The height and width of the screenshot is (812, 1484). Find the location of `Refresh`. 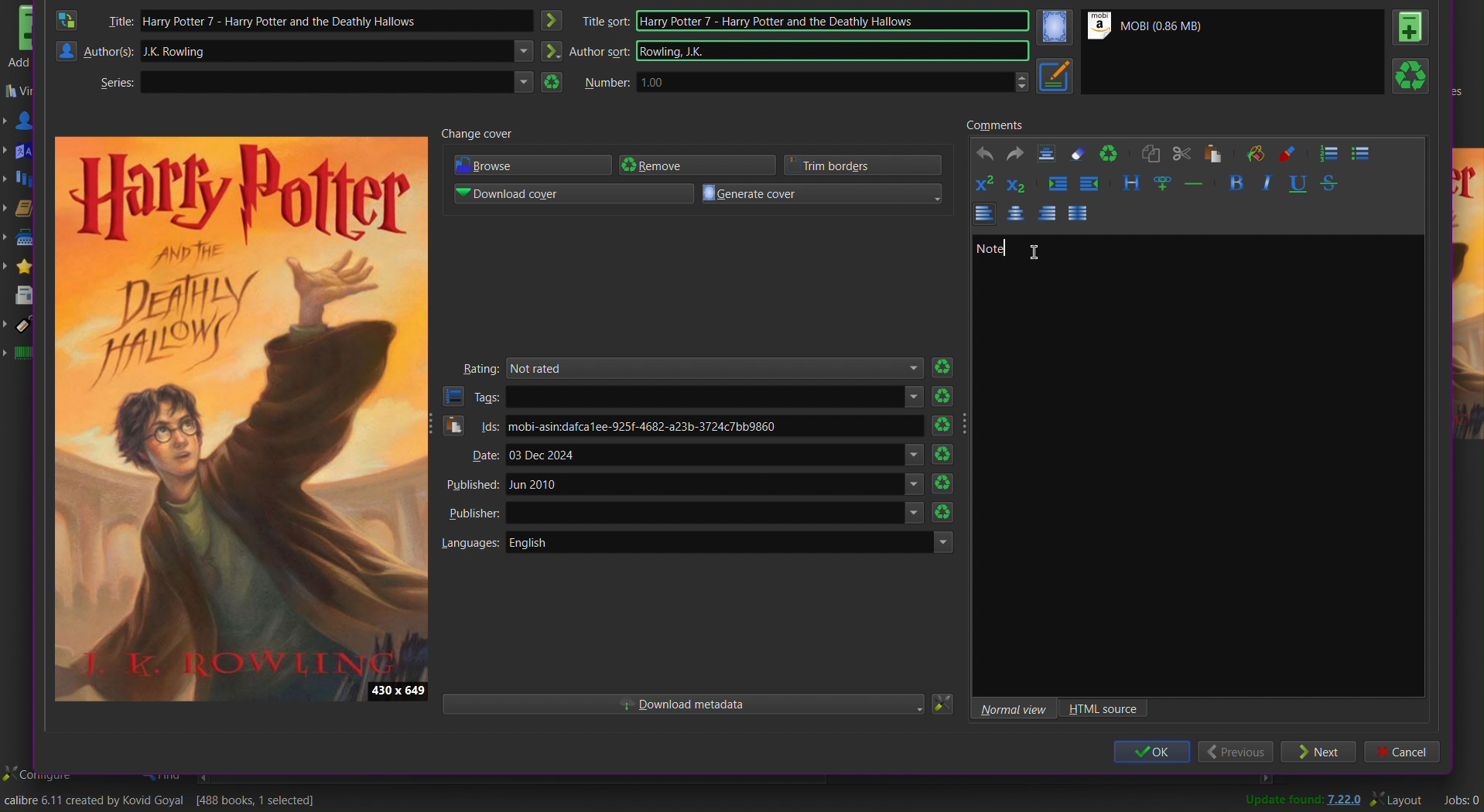

Refresh is located at coordinates (946, 453).